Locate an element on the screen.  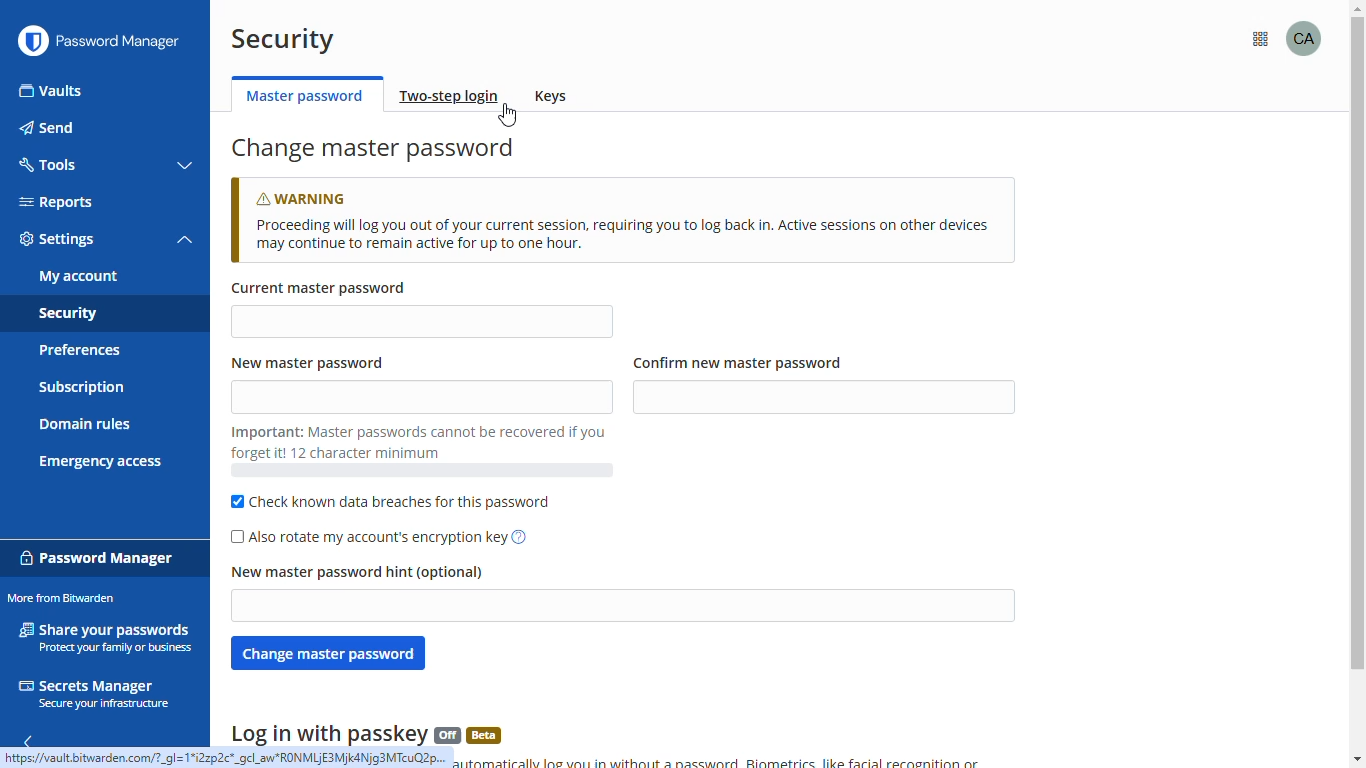
preferences is located at coordinates (78, 350).